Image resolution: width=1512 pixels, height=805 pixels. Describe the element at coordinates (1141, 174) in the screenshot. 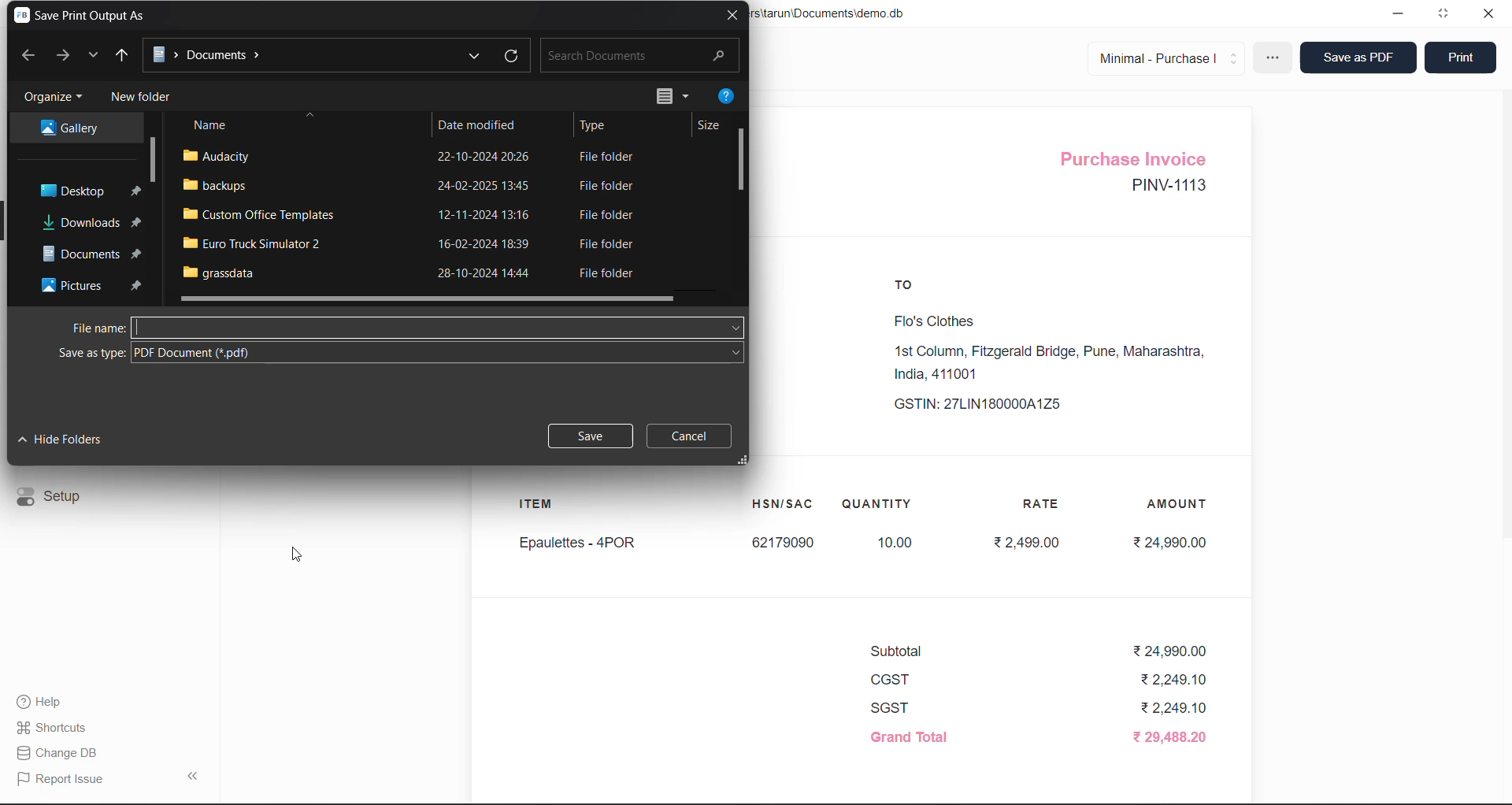

I see `Purchase Invoice PINV-1113` at that location.